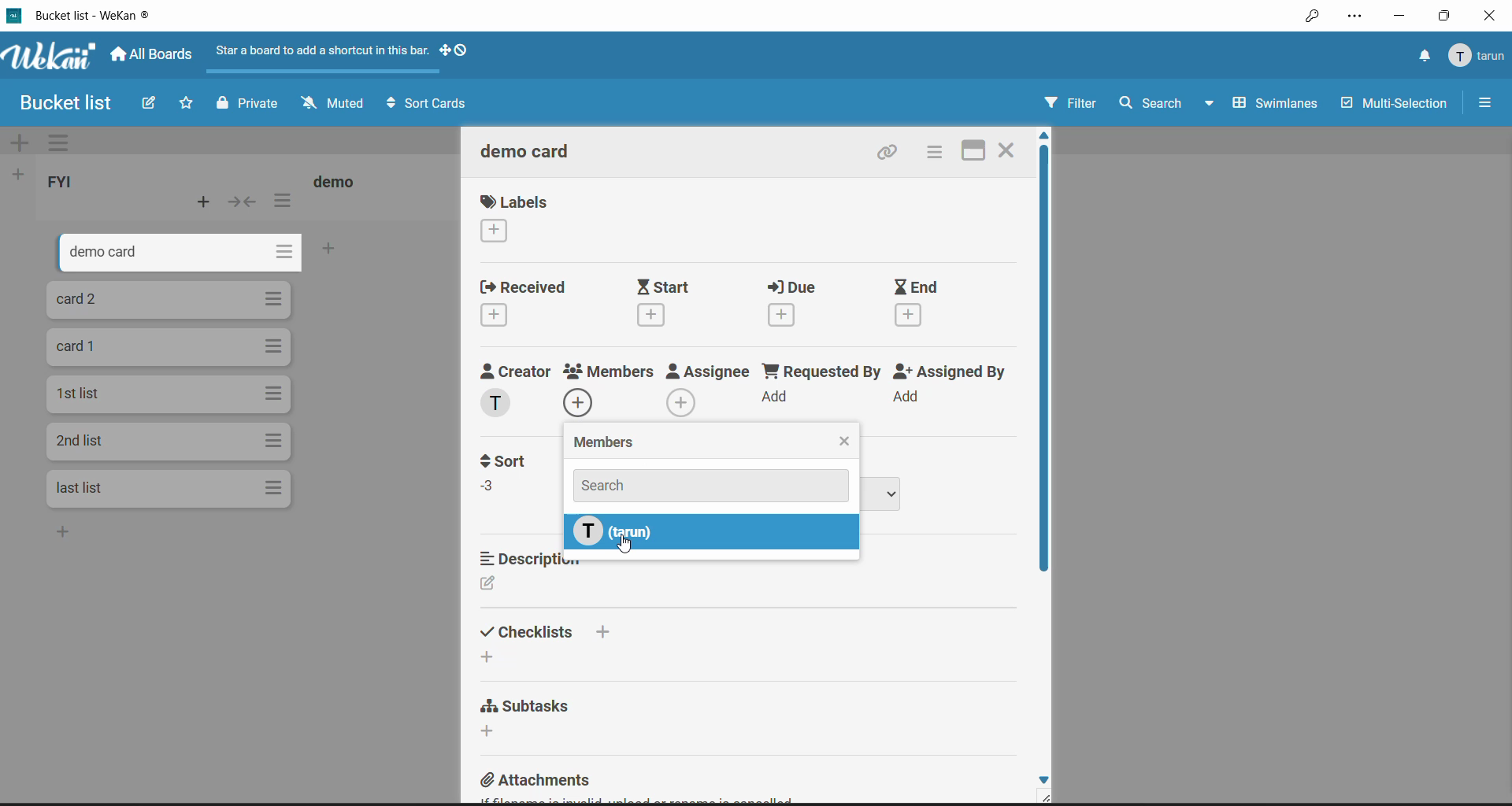  Describe the element at coordinates (490, 730) in the screenshot. I see `add subtask` at that location.